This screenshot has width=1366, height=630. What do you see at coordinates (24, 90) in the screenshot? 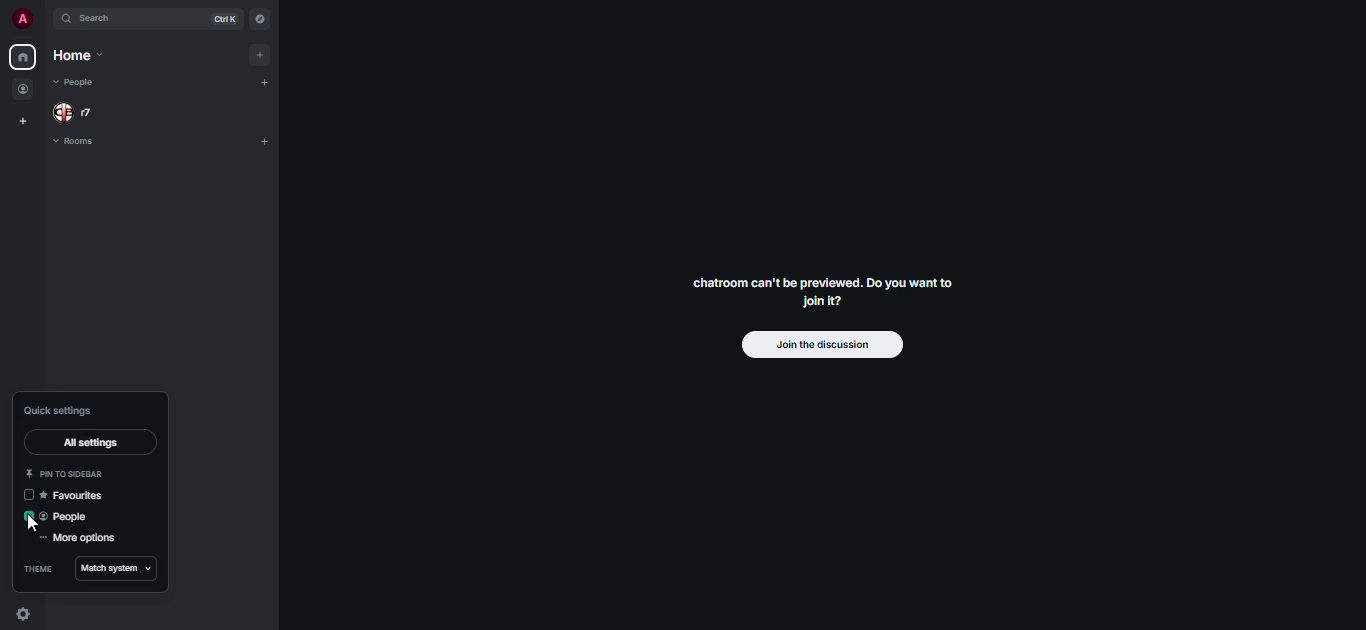
I see `people` at bounding box center [24, 90].